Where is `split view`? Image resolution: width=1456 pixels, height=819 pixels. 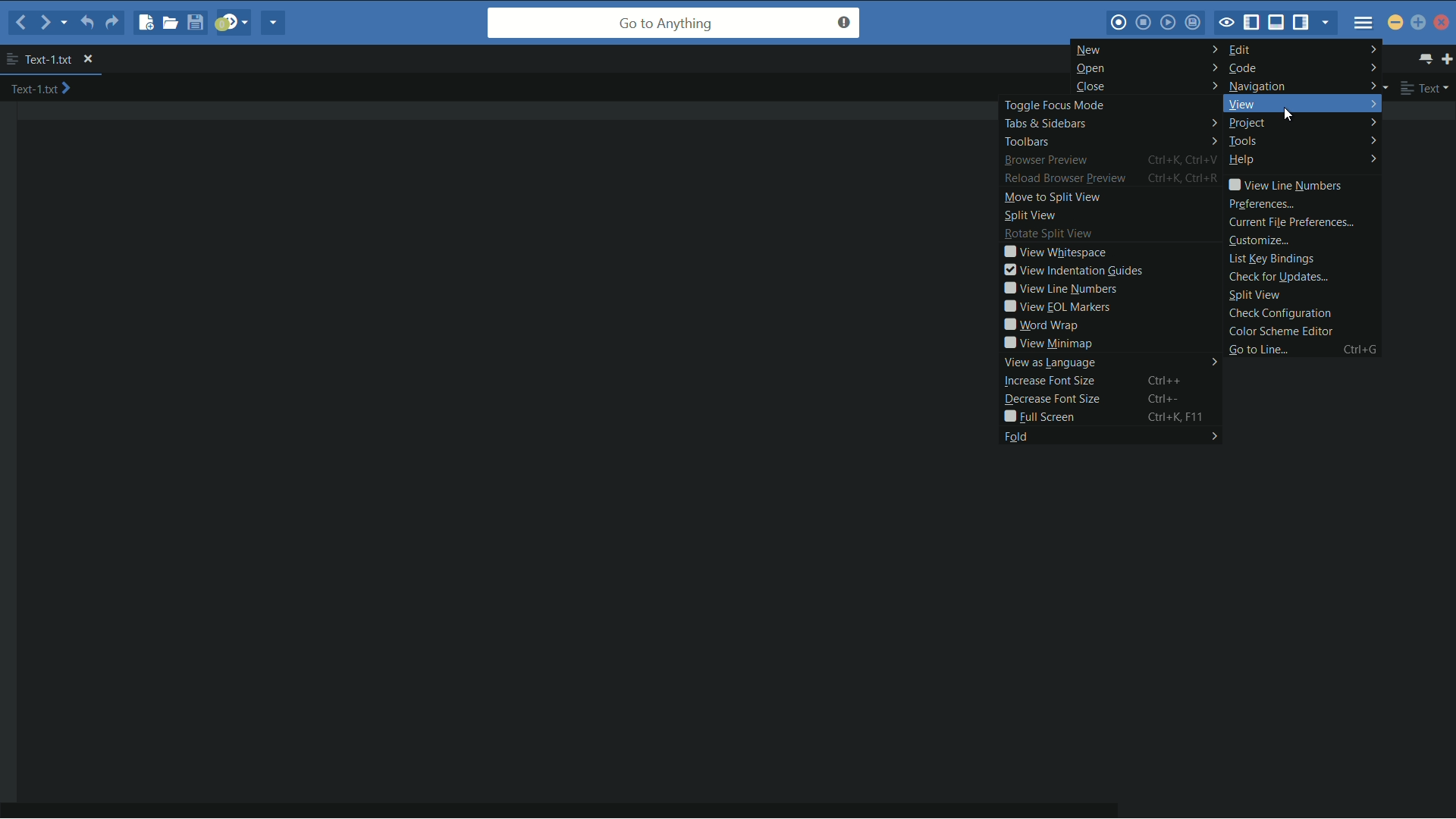
split view is located at coordinates (1254, 295).